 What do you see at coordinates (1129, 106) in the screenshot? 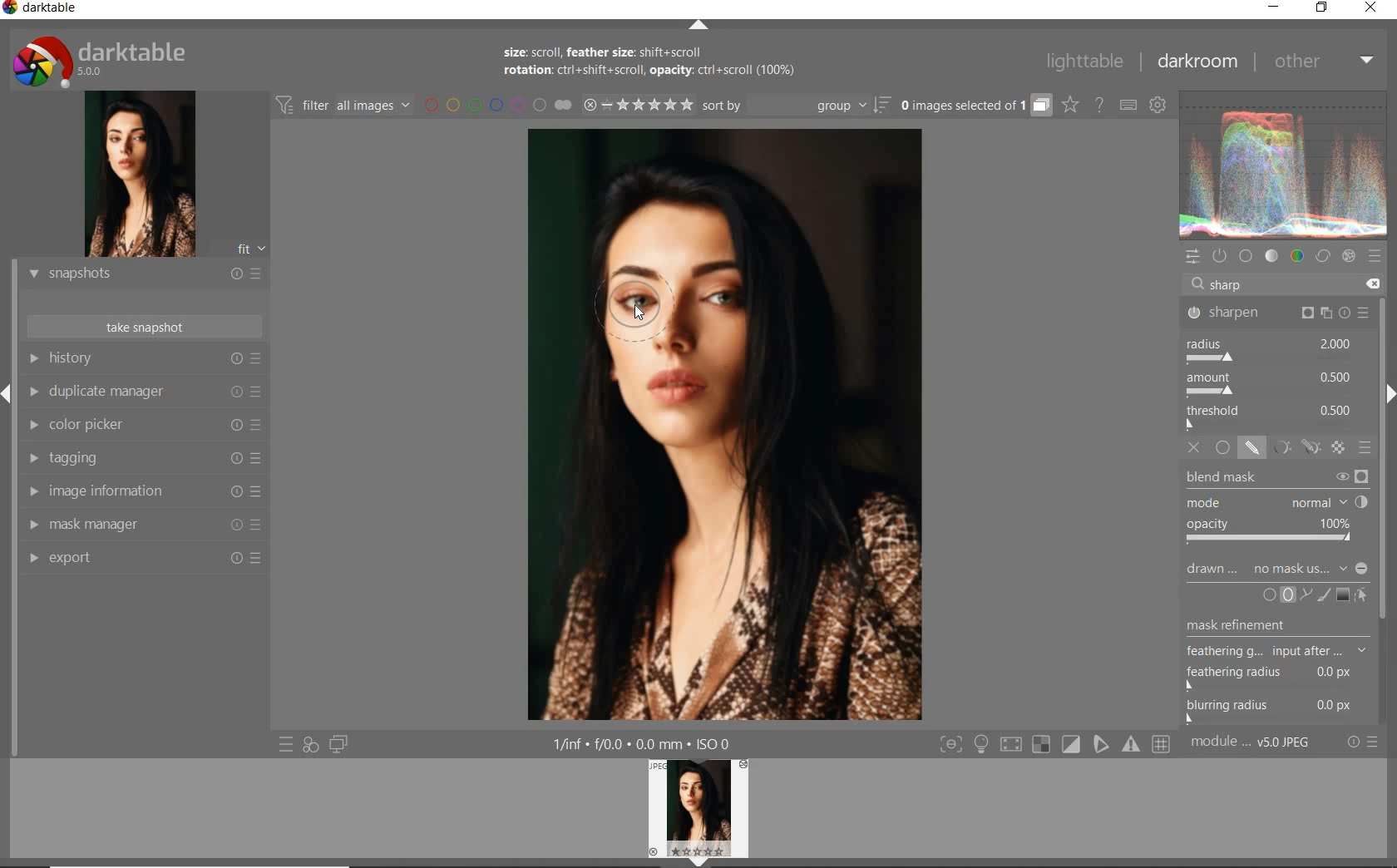
I see `set keyboard shortcuts` at bounding box center [1129, 106].